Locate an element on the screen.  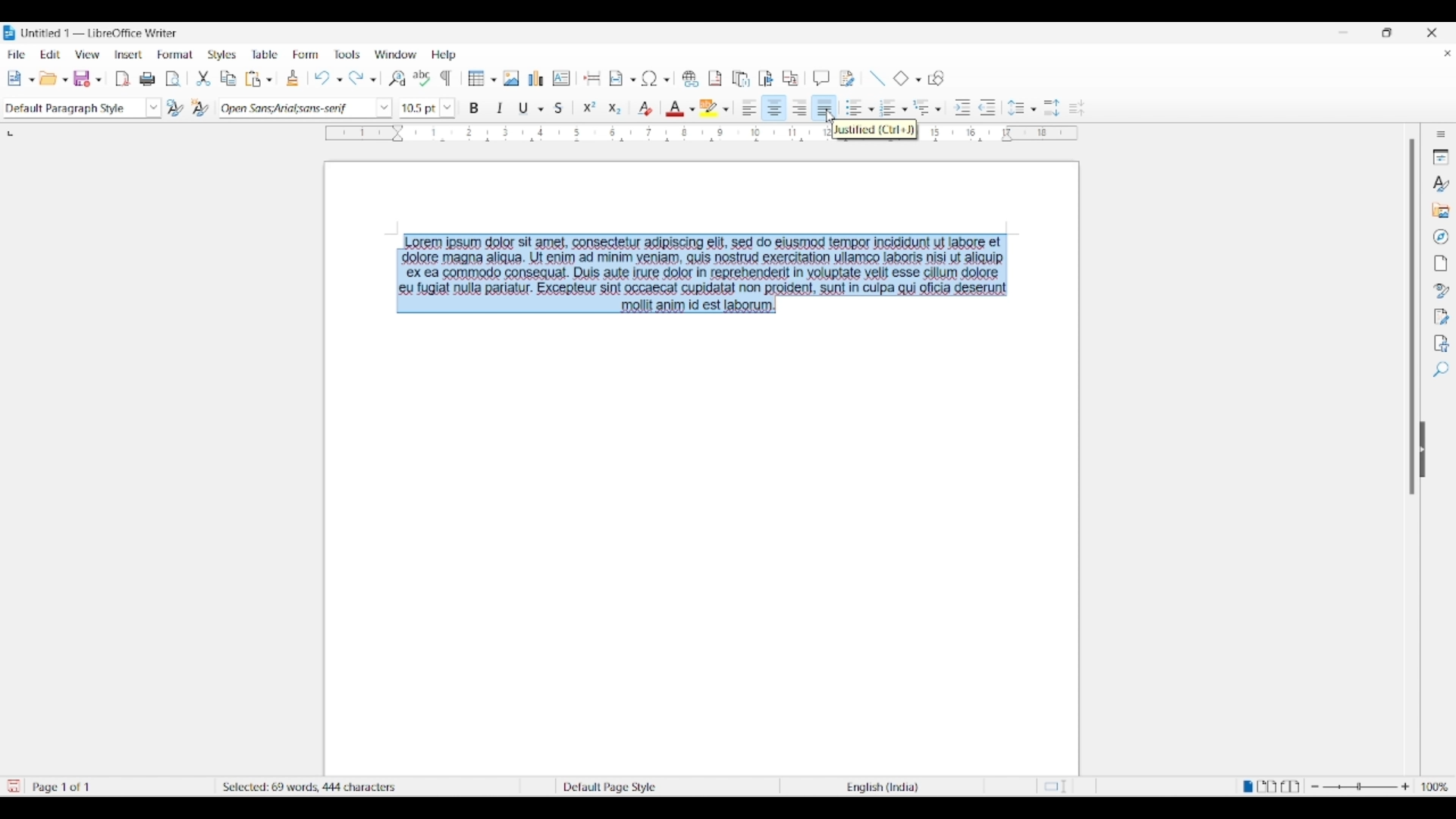
Insert comment is located at coordinates (821, 78).